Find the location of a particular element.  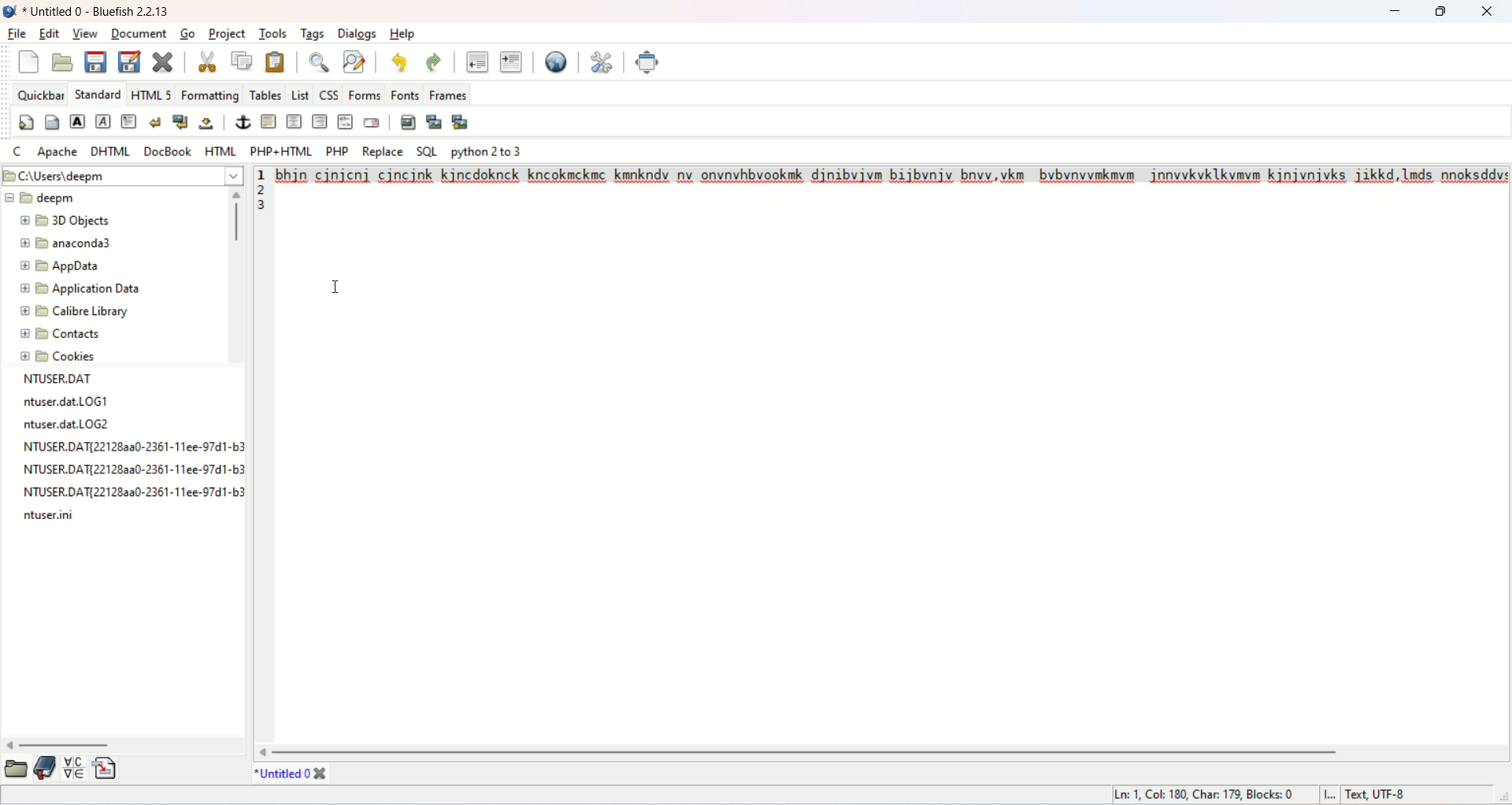

center is located at coordinates (295, 121).